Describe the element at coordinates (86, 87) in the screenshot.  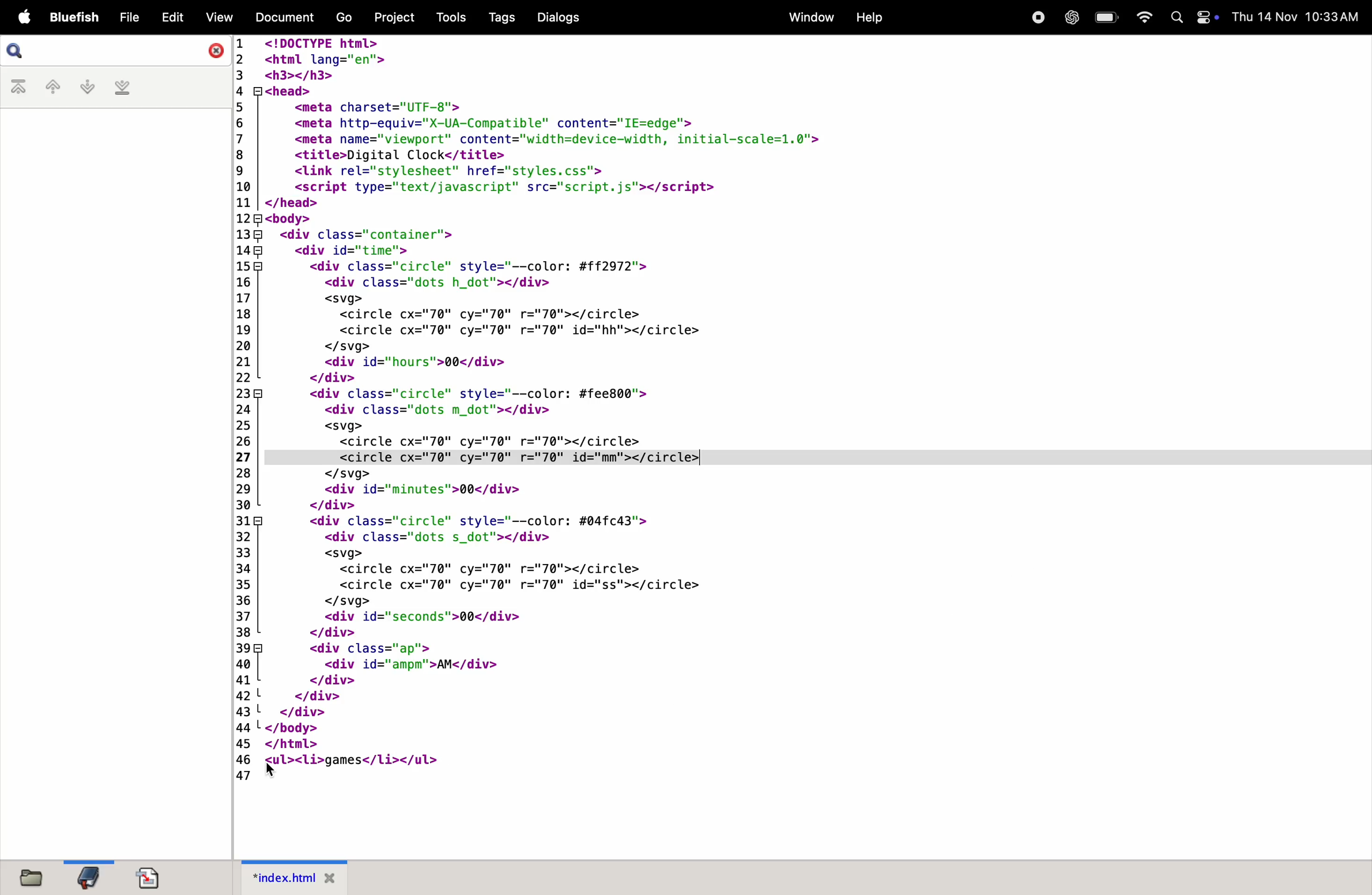
I see `next bookmark` at that location.